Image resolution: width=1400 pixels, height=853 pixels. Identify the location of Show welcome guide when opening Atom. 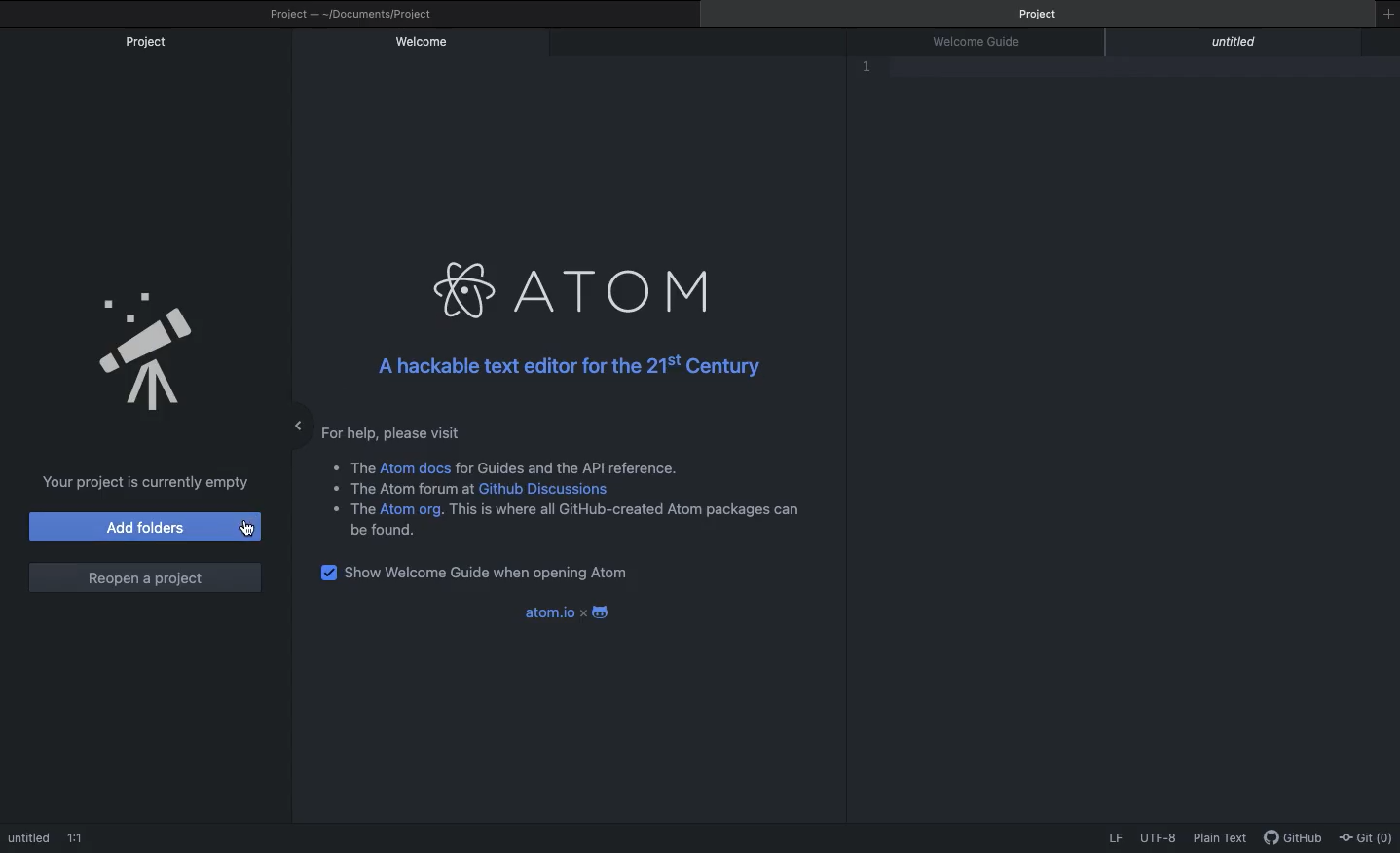
(481, 573).